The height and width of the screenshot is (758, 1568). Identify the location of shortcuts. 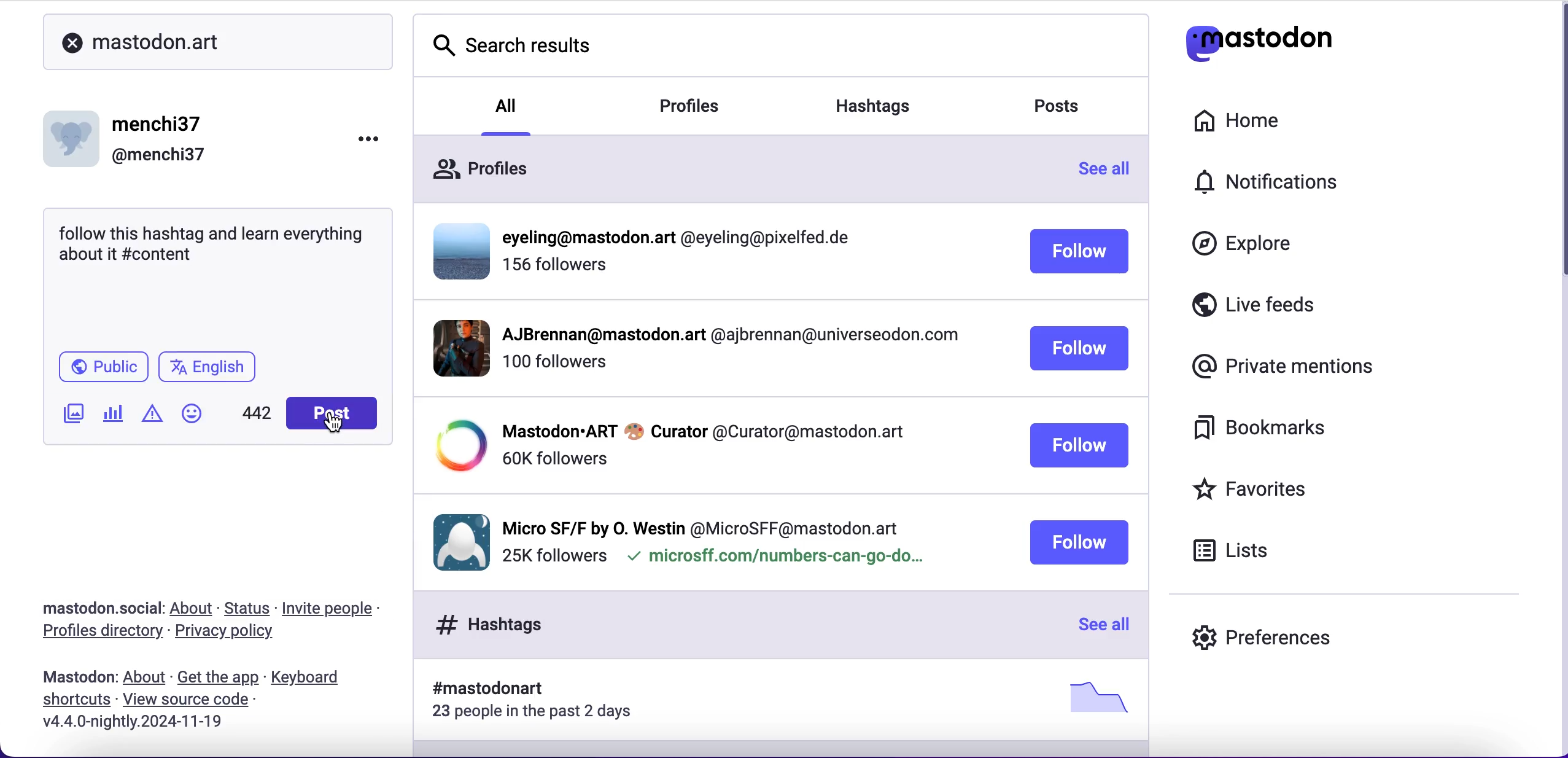
(72, 702).